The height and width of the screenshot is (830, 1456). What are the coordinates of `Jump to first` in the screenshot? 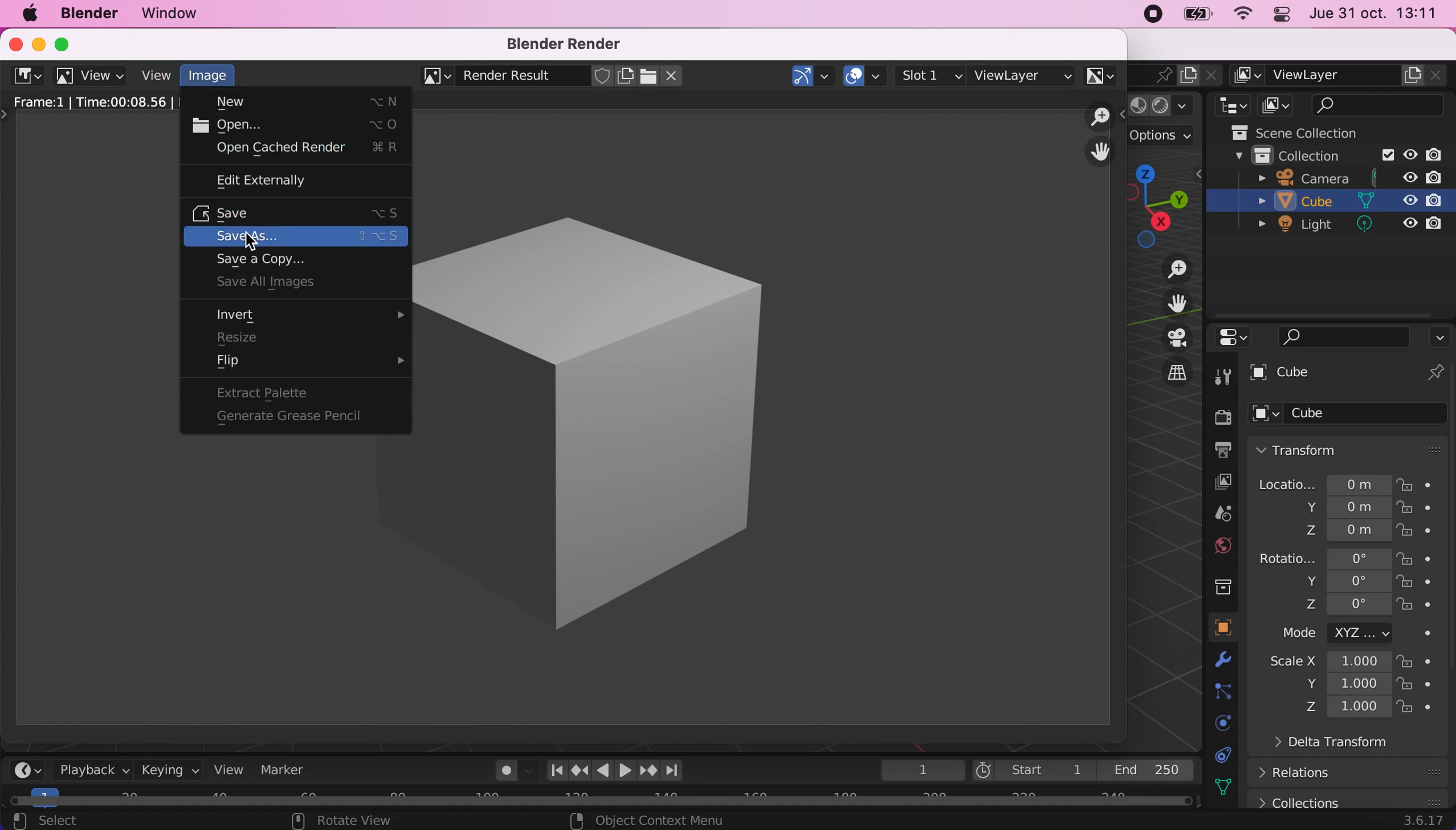 It's located at (552, 770).